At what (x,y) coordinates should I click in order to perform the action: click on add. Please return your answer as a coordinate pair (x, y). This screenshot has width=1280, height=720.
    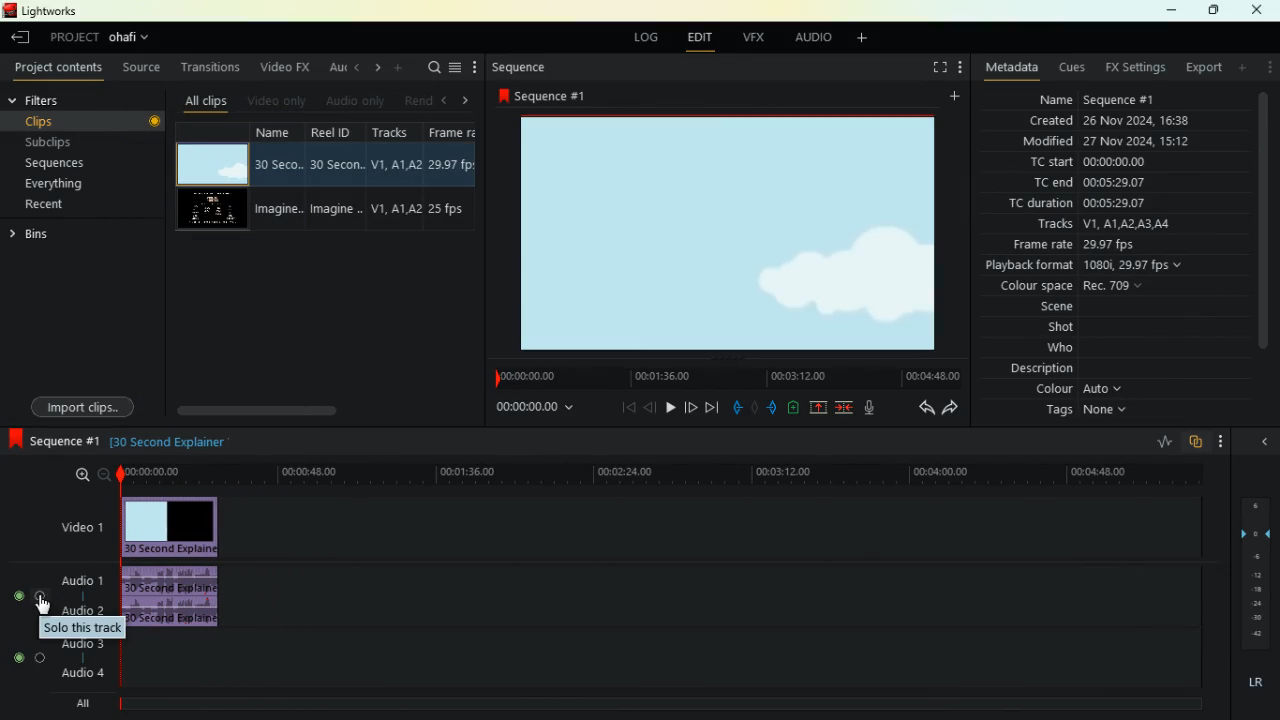
    Looking at the image, I should click on (858, 41).